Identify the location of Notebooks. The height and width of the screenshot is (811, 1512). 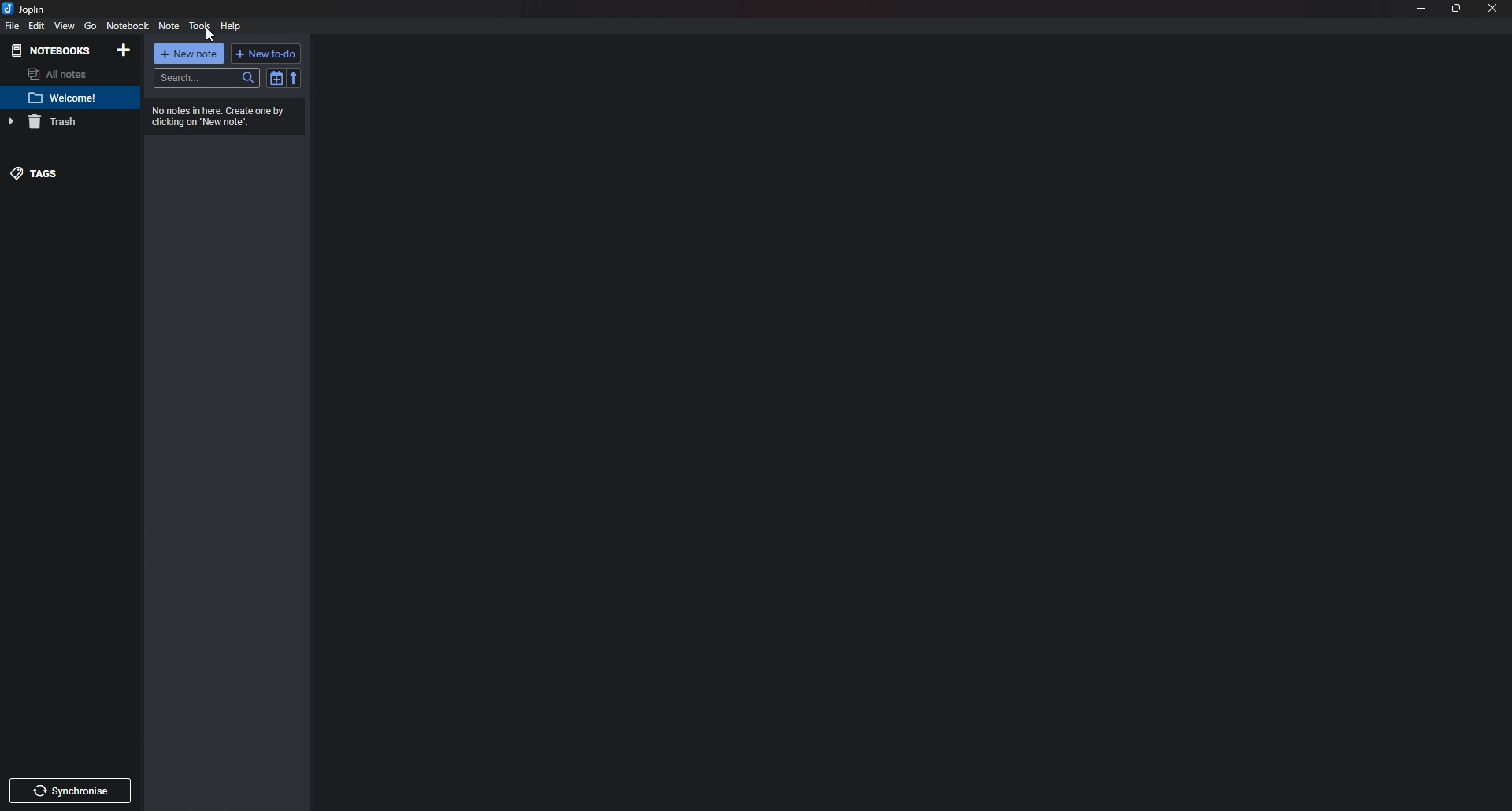
(54, 50).